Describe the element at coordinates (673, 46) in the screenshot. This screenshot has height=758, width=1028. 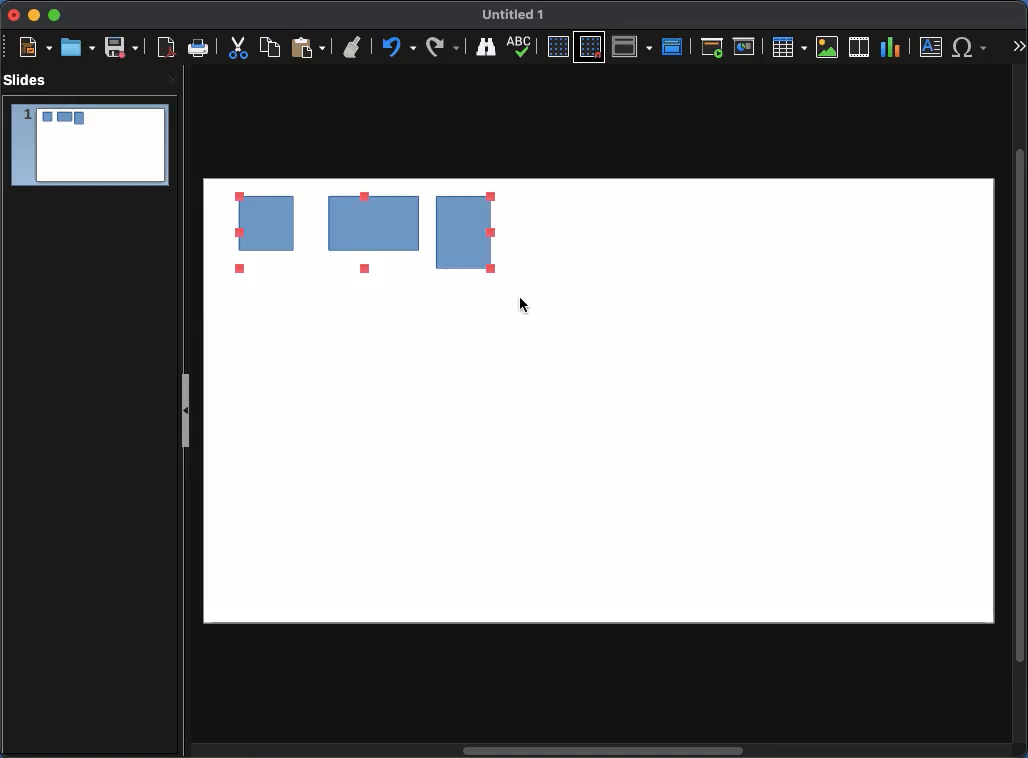
I see `Master slide` at that location.